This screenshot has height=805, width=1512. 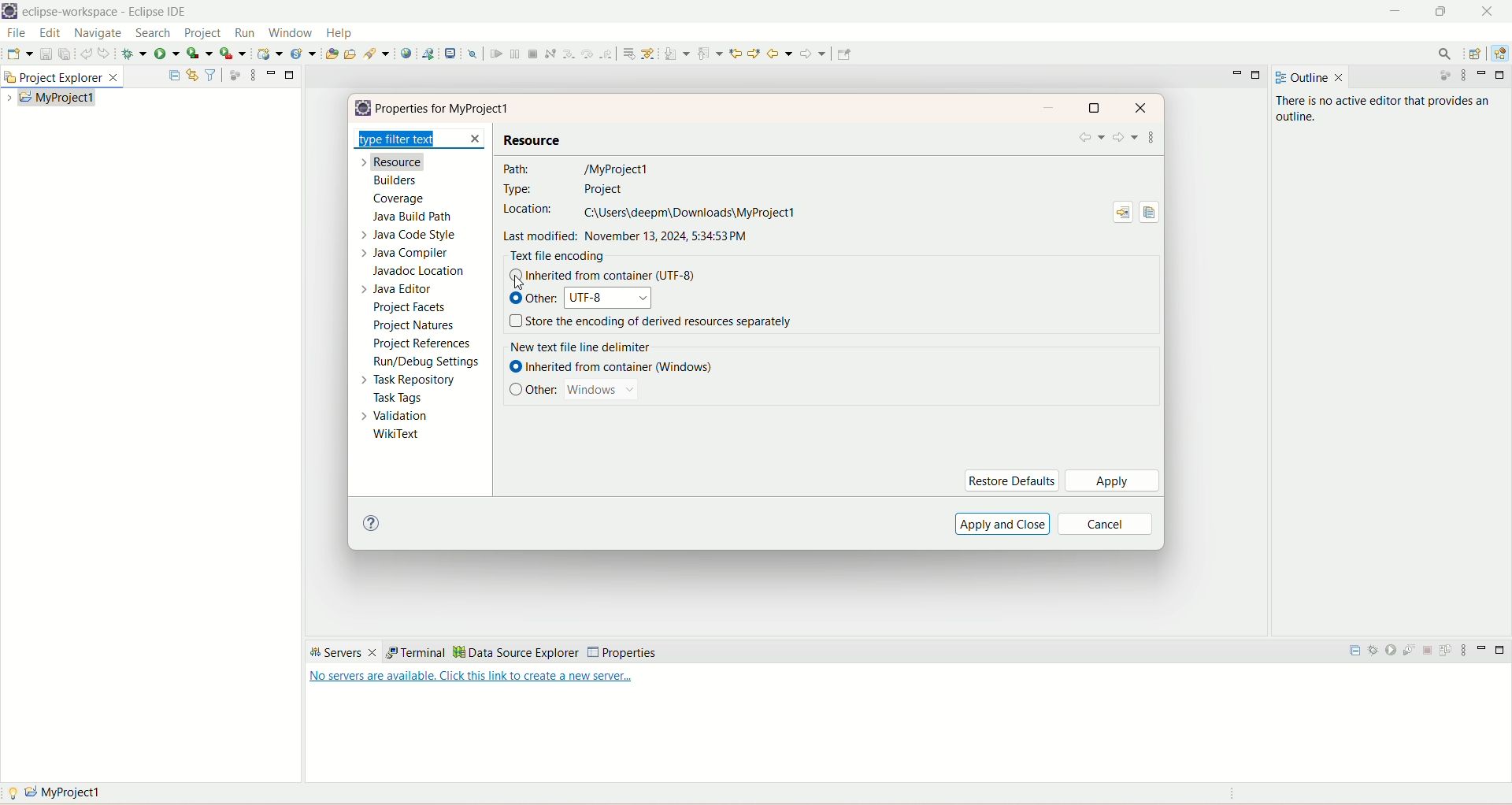 I want to click on minimize, so click(x=1397, y=10).